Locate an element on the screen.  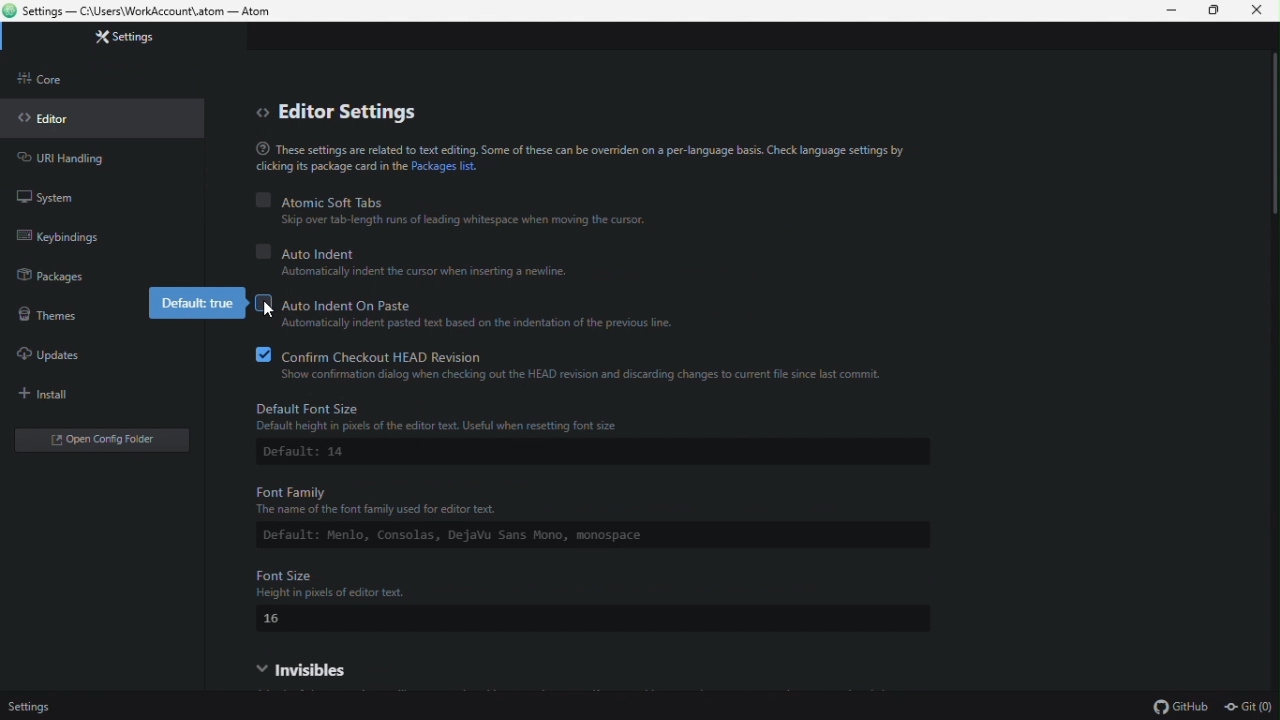
Restore is located at coordinates (1215, 13).